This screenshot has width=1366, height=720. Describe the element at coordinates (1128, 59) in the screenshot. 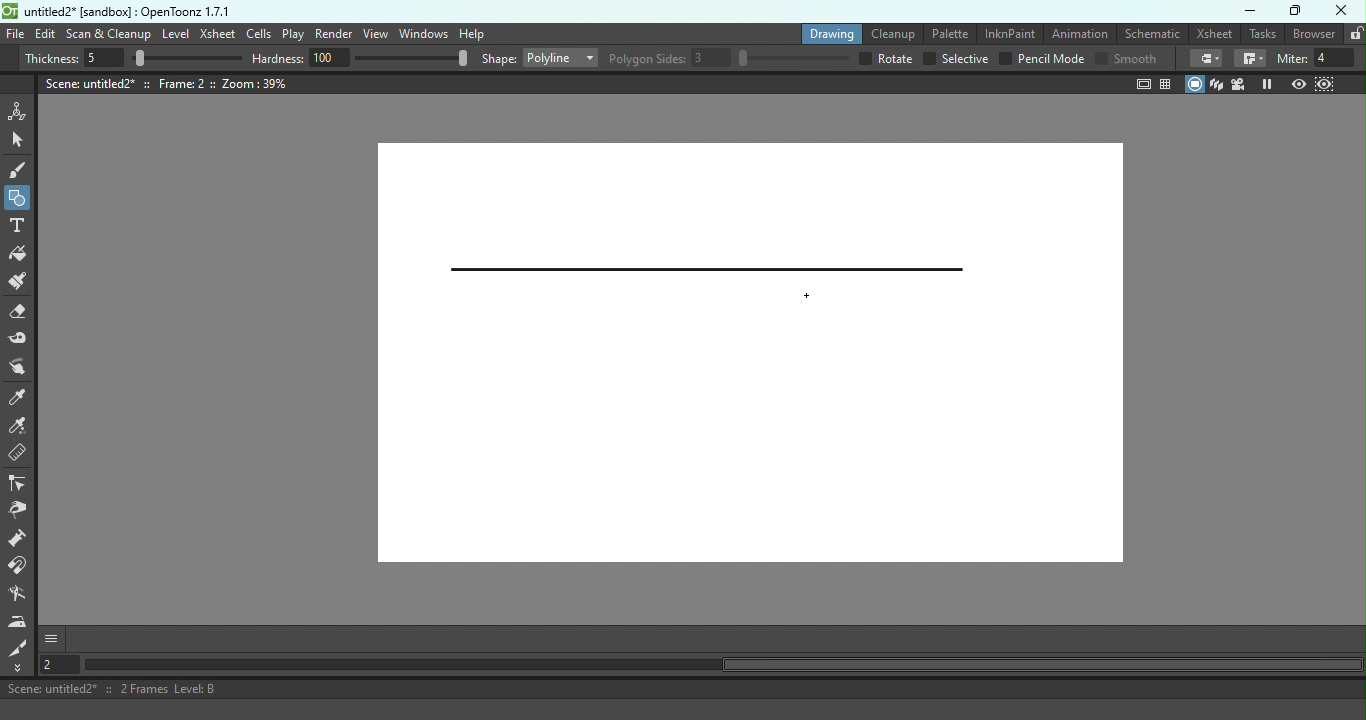

I see `Smooth` at that location.